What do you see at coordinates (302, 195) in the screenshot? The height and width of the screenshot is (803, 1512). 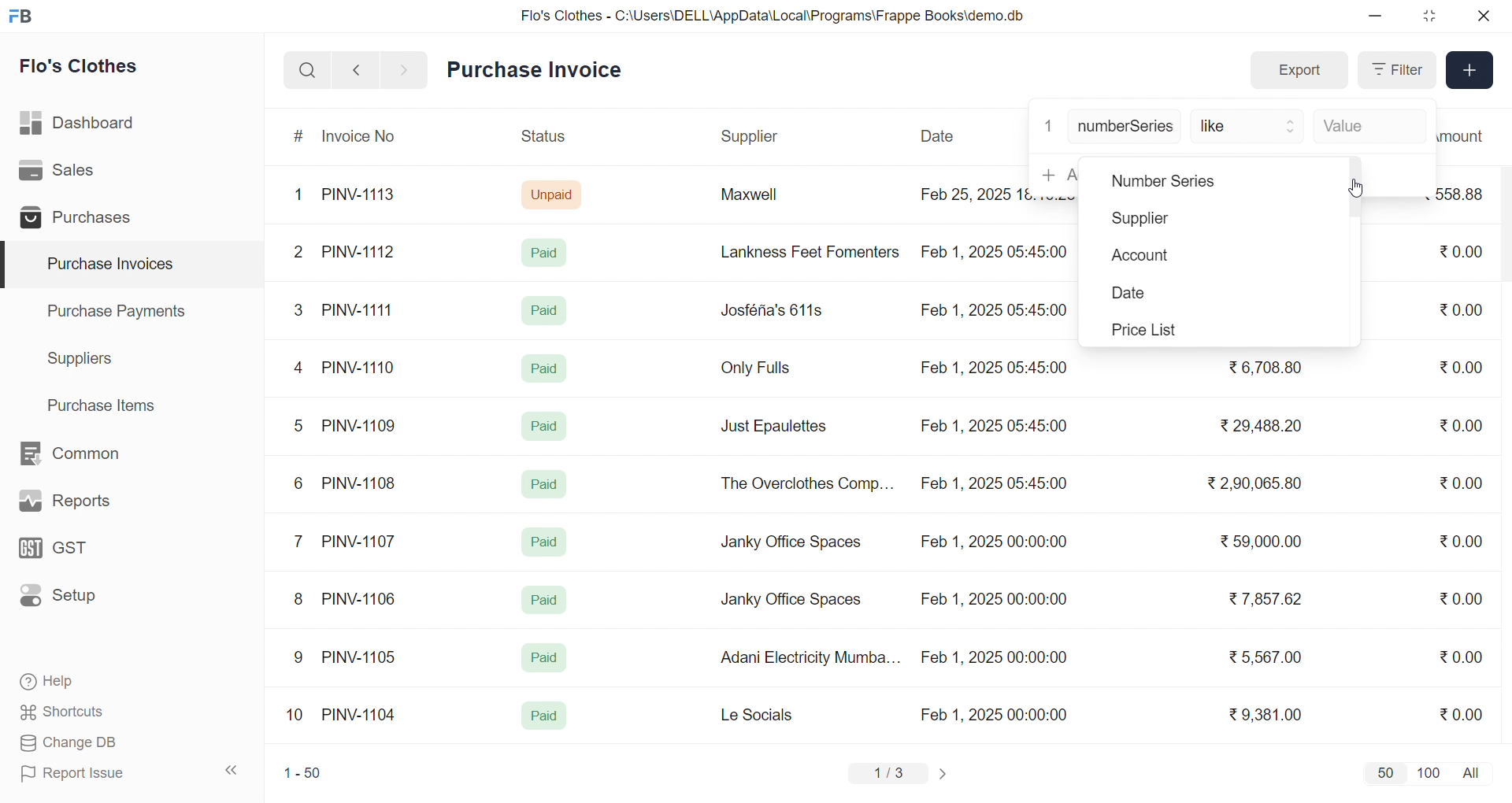 I see `1` at bounding box center [302, 195].